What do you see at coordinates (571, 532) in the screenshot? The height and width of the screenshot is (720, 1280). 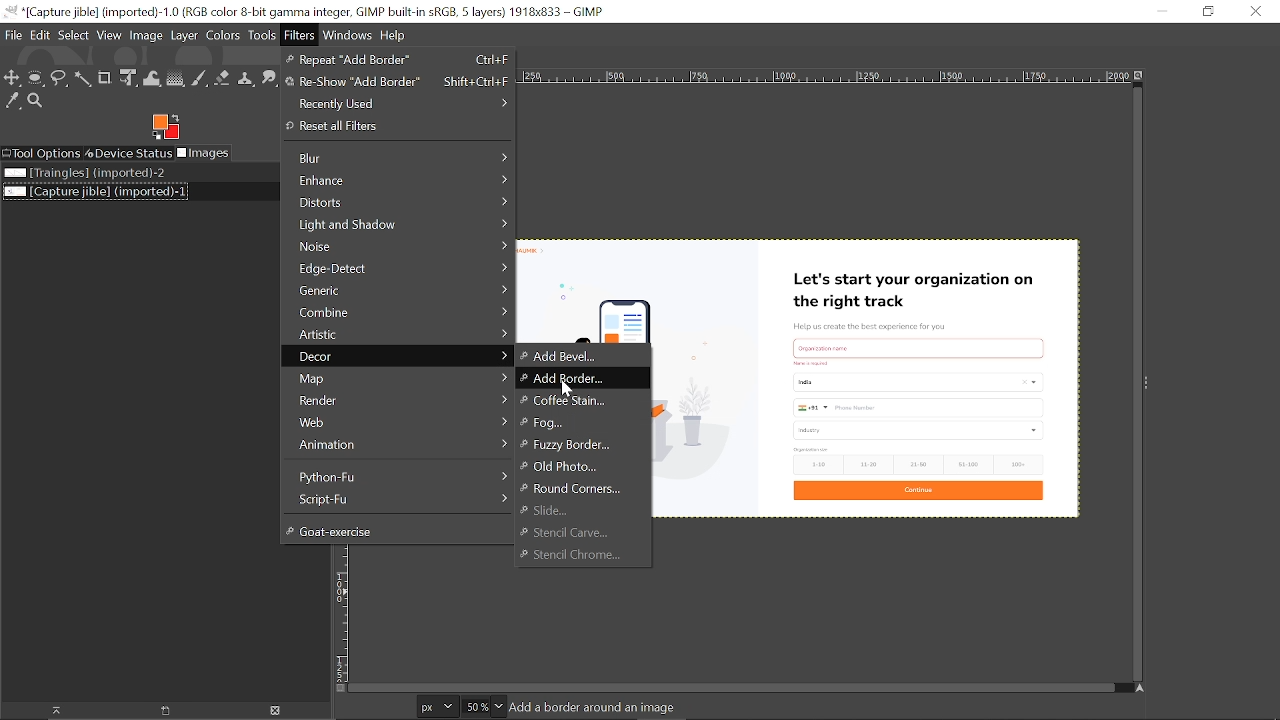 I see `Stencil Carve...` at bounding box center [571, 532].